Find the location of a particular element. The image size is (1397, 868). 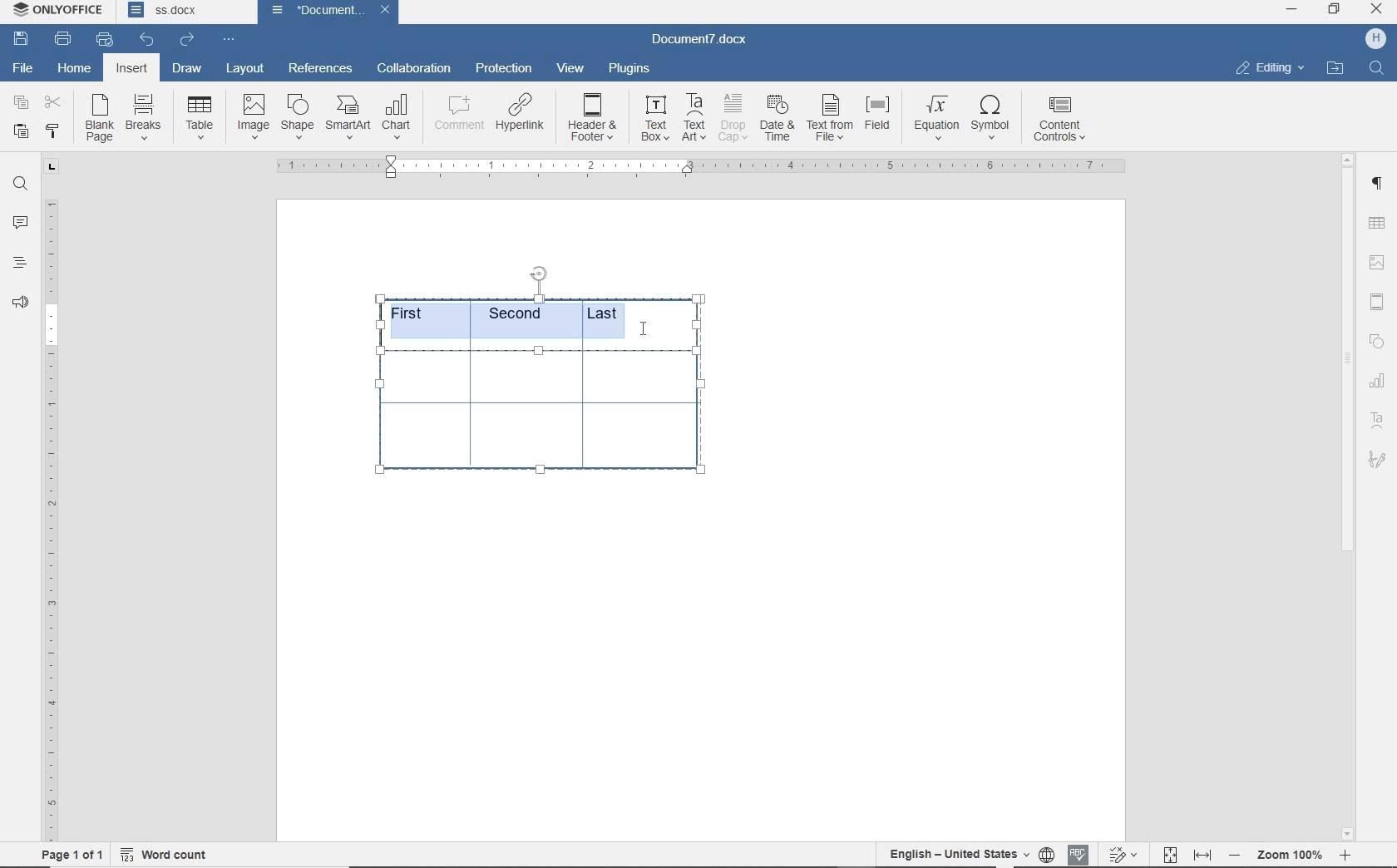

PARAGRAPH SETTINGS is located at coordinates (1377, 181).